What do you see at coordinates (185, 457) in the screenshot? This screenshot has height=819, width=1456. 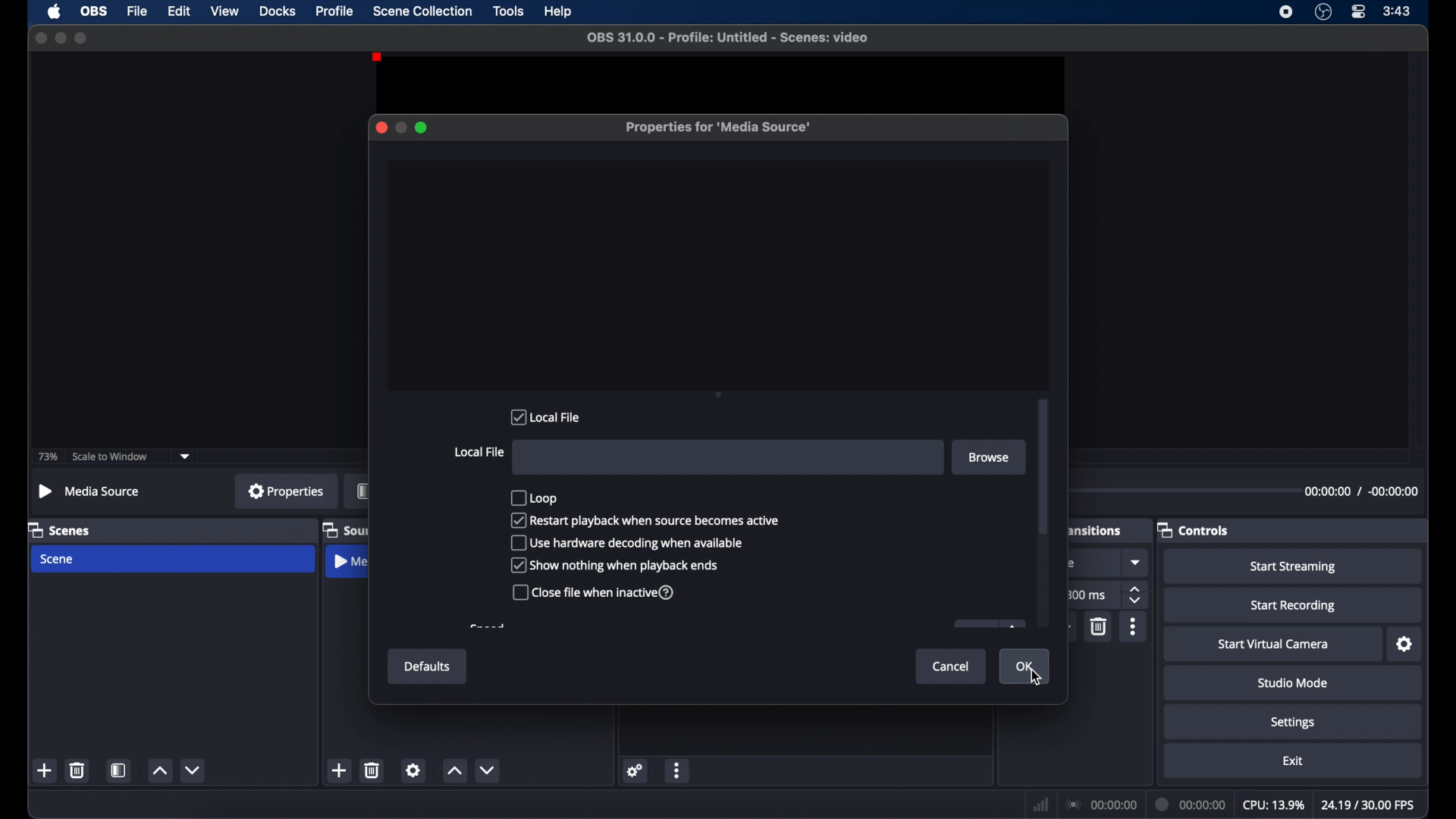 I see `dropdown` at bounding box center [185, 457].